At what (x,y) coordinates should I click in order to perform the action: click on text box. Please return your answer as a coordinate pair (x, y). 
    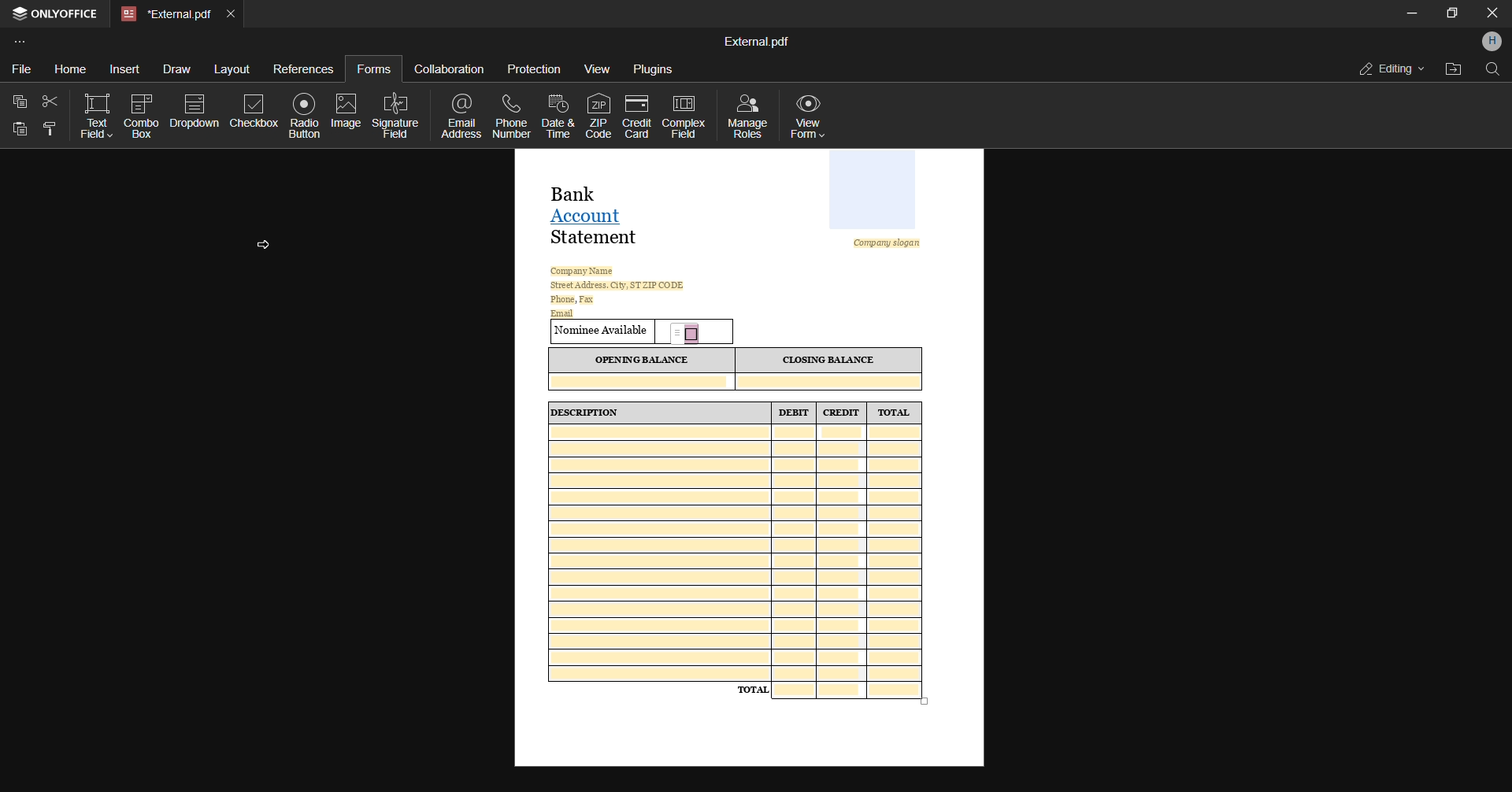
    Looking at the image, I should click on (94, 117).